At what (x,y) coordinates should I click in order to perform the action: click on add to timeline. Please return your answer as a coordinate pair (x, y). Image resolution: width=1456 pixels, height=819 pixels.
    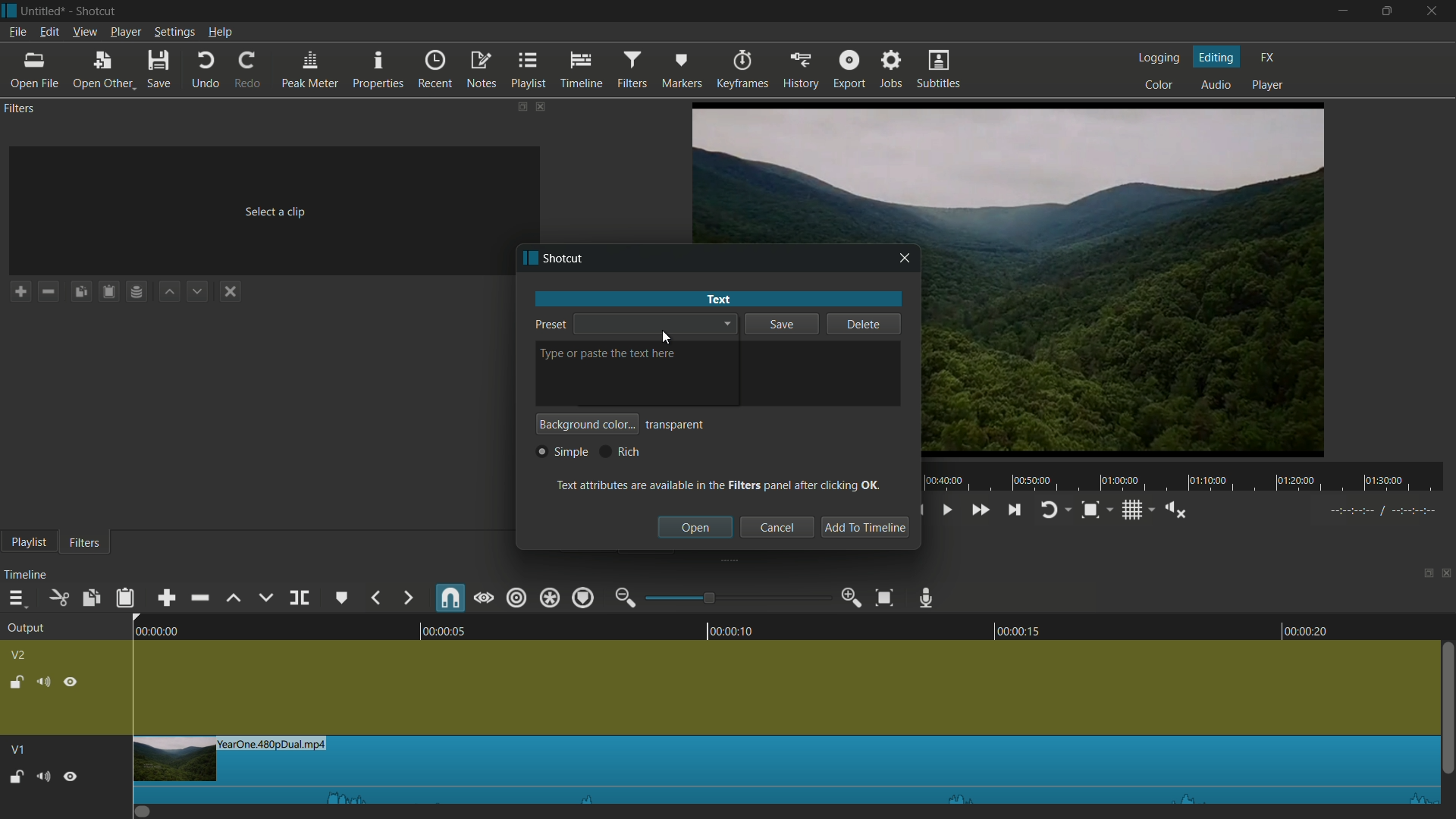
    Looking at the image, I should click on (864, 528).